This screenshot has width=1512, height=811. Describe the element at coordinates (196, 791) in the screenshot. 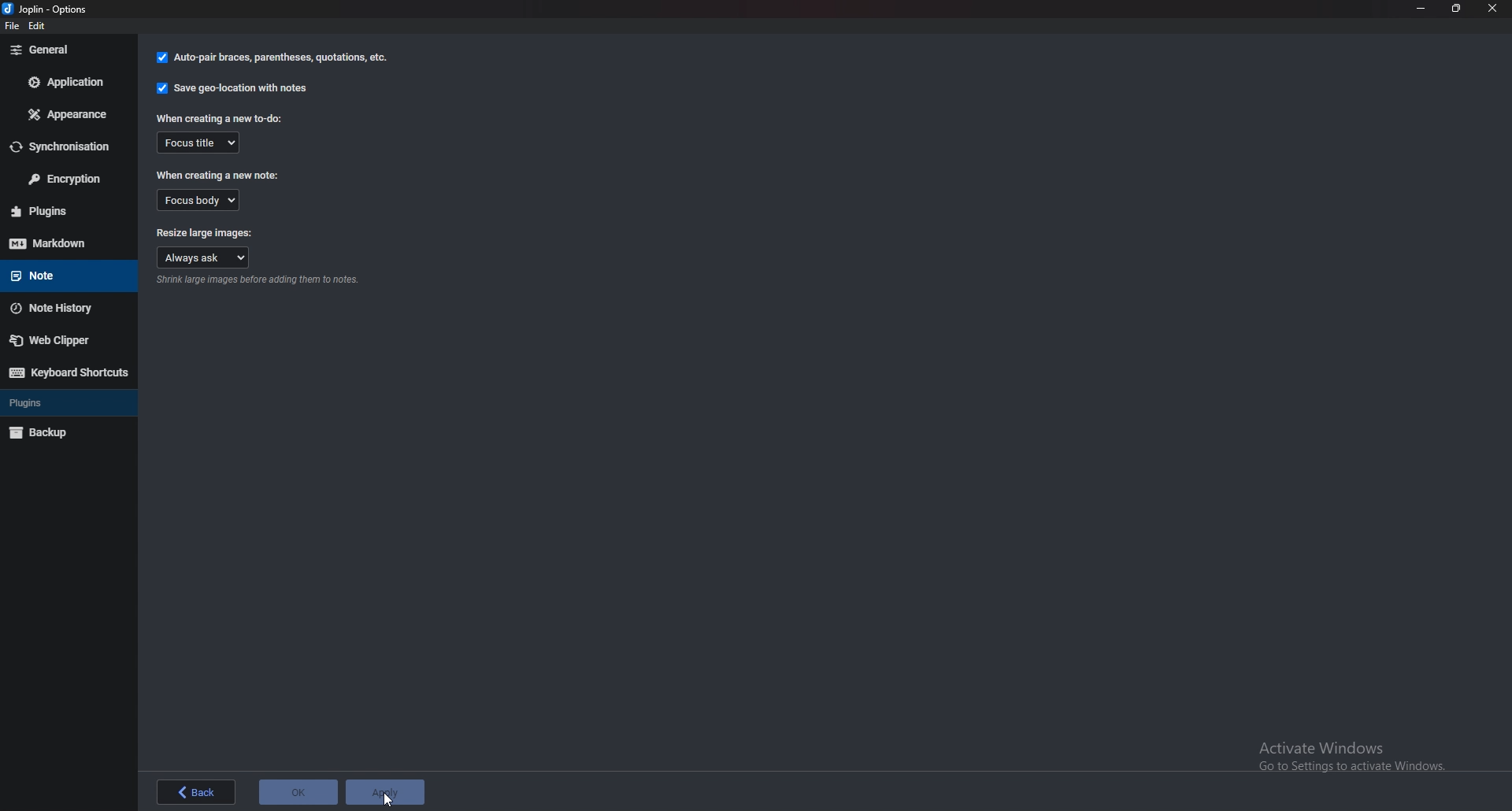

I see `back` at that location.